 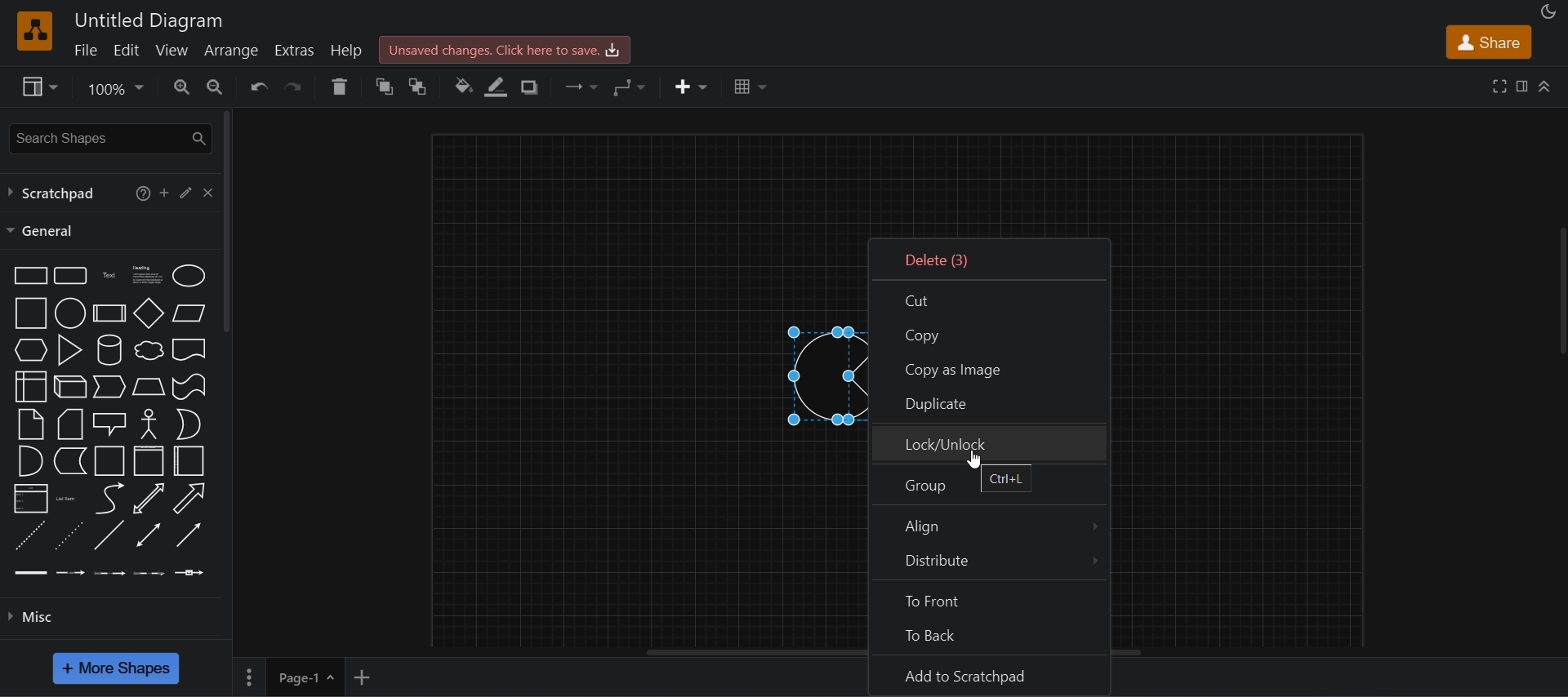 What do you see at coordinates (108, 535) in the screenshot?
I see `line` at bounding box center [108, 535].